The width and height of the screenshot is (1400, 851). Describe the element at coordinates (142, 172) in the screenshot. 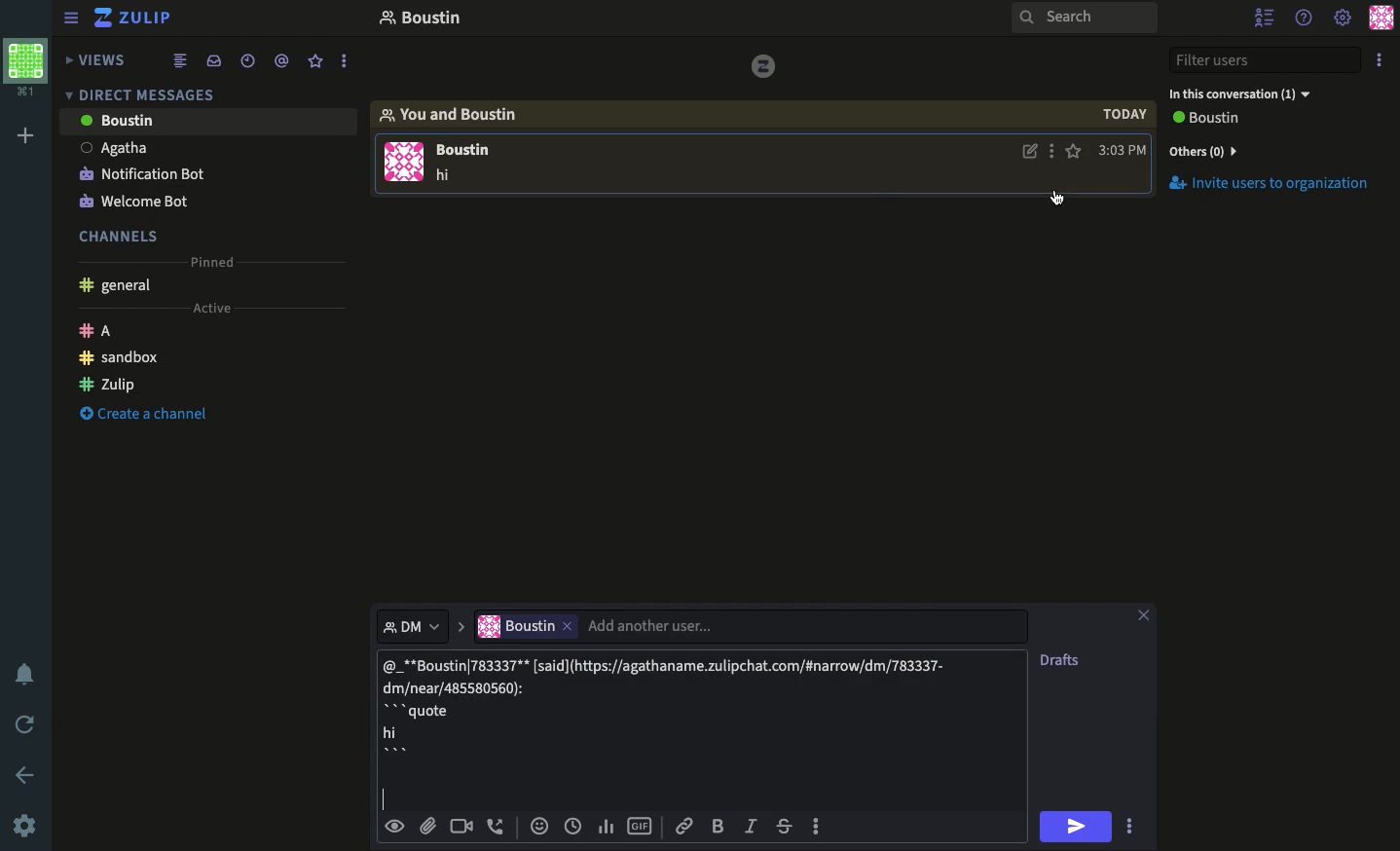

I see `Notification bot` at that location.